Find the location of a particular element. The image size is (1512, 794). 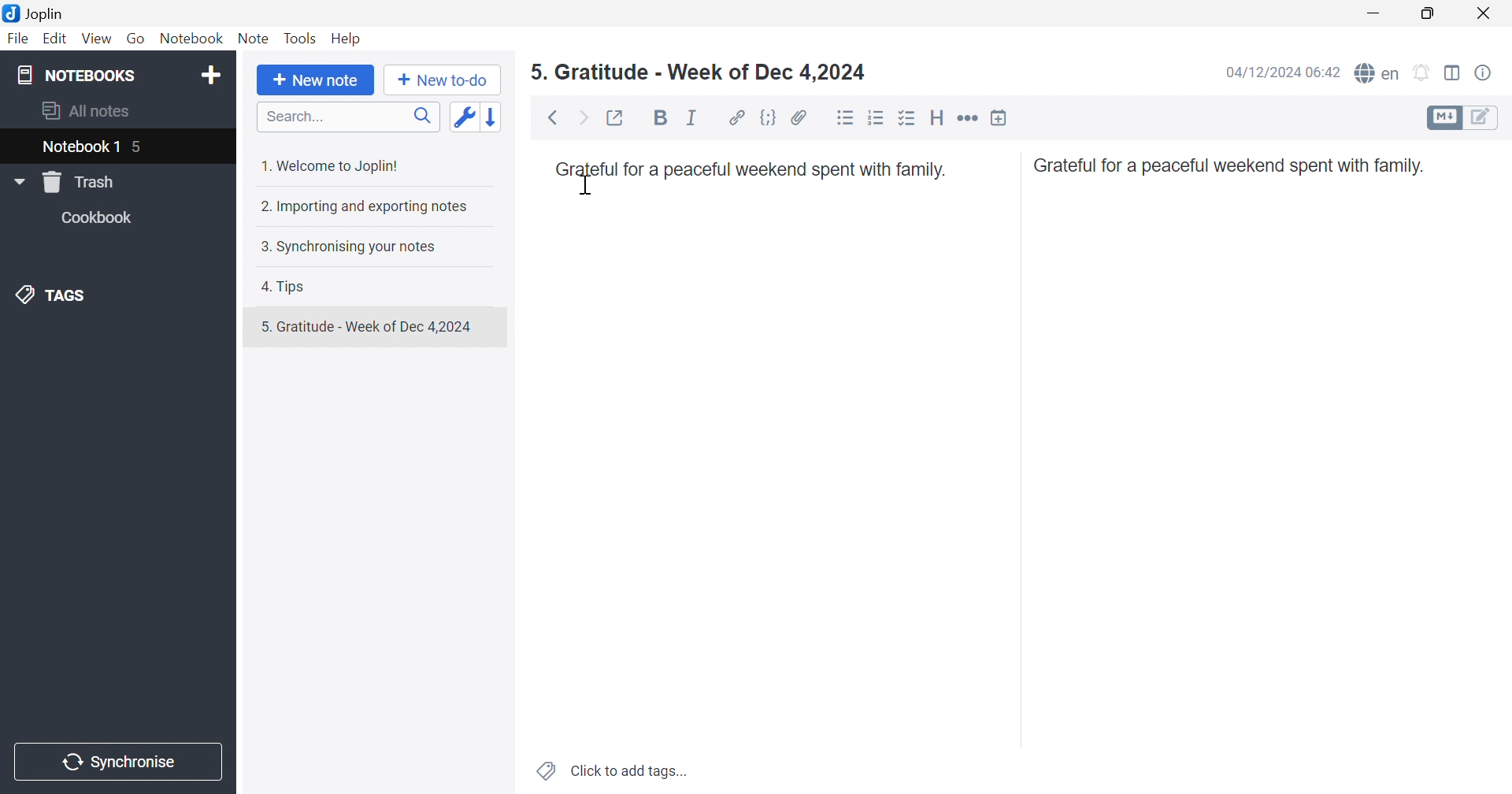

Edit is located at coordinates (55, 38).